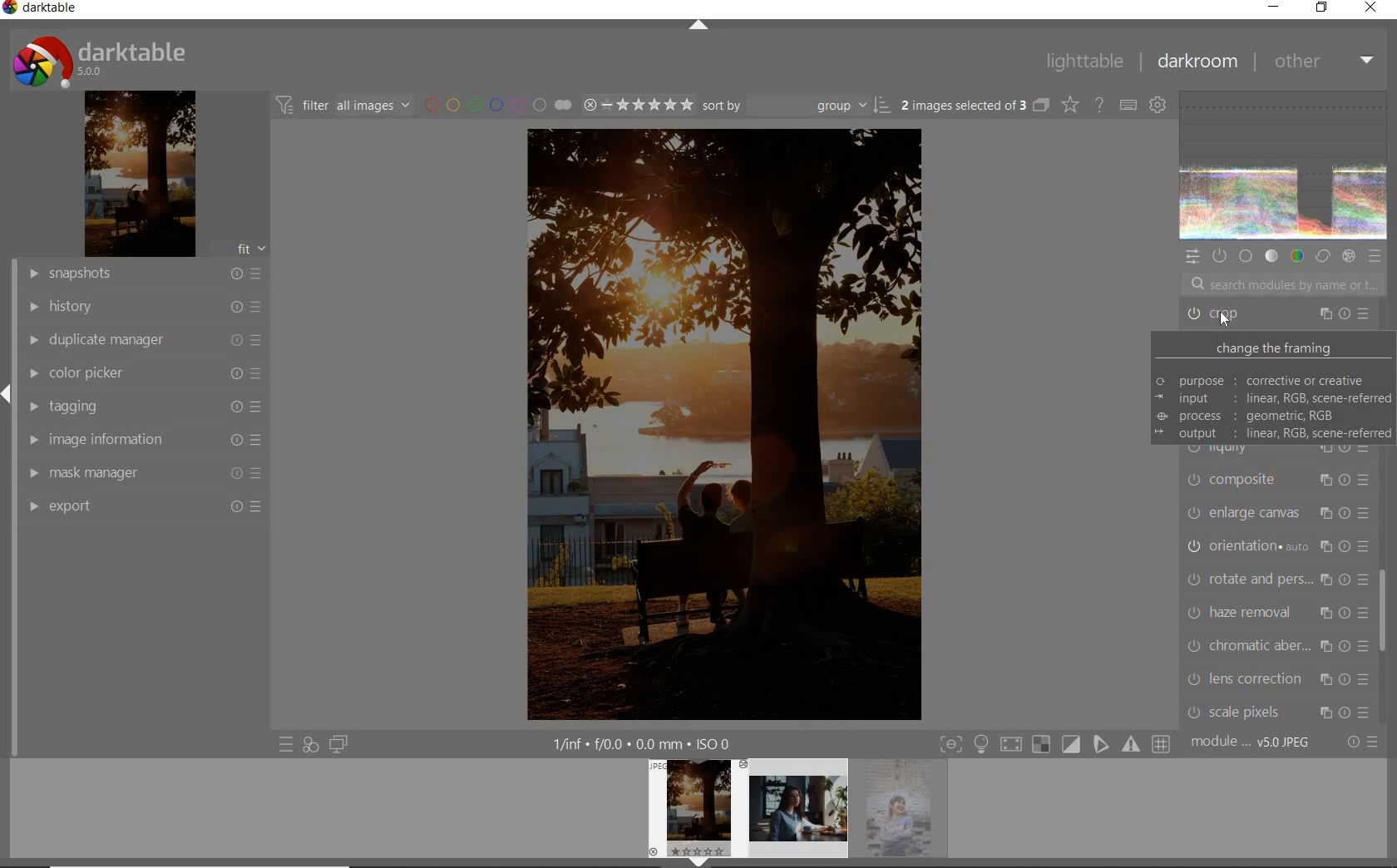  Describe the element at coordinates (1349, 257) in the screenshot. I see `effect ` at that location.